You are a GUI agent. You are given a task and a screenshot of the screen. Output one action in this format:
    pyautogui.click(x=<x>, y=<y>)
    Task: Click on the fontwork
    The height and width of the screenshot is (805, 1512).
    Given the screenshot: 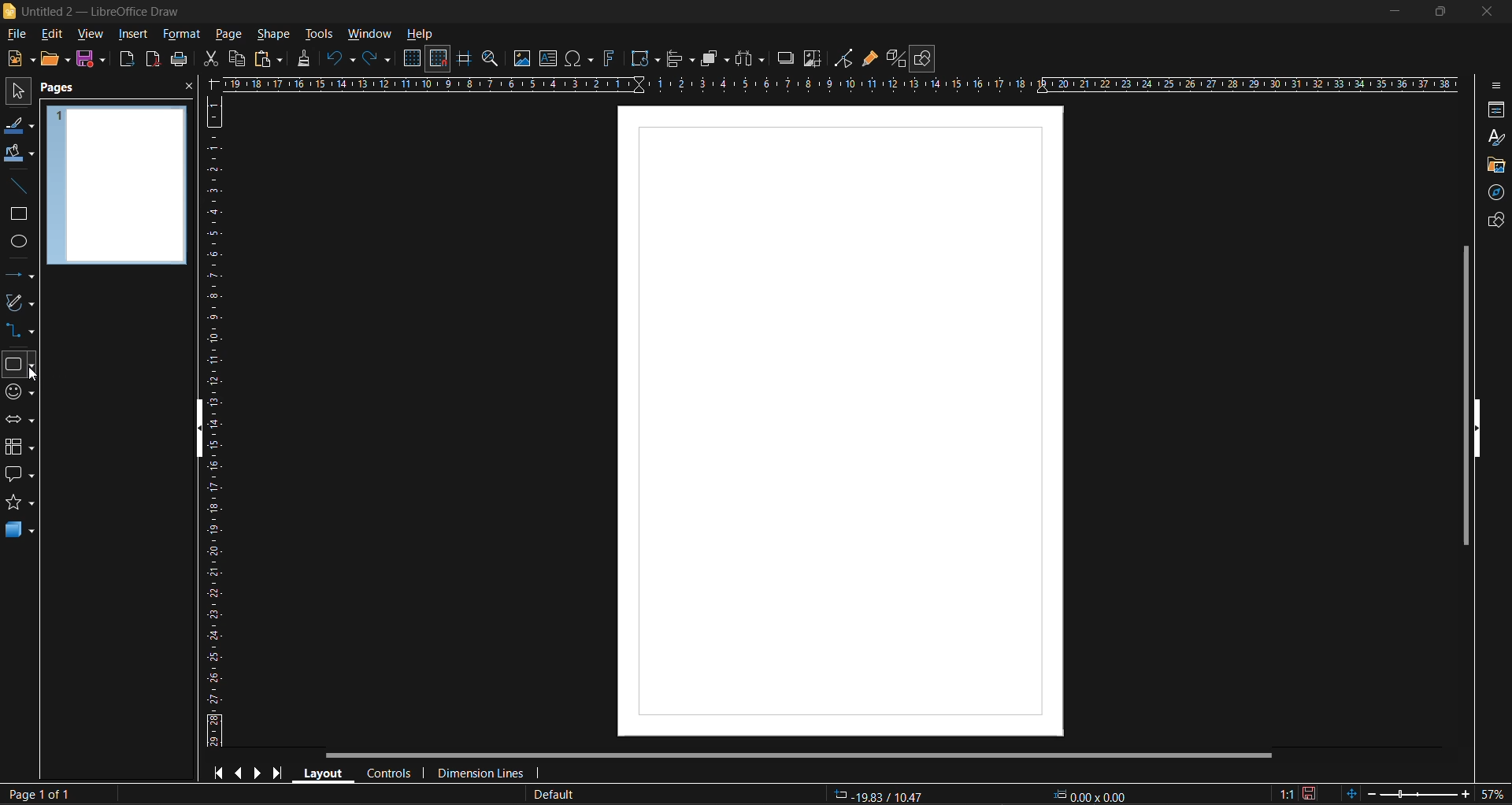 What is the action you would take?
    pyautogui.click(x=612, y=57)
    